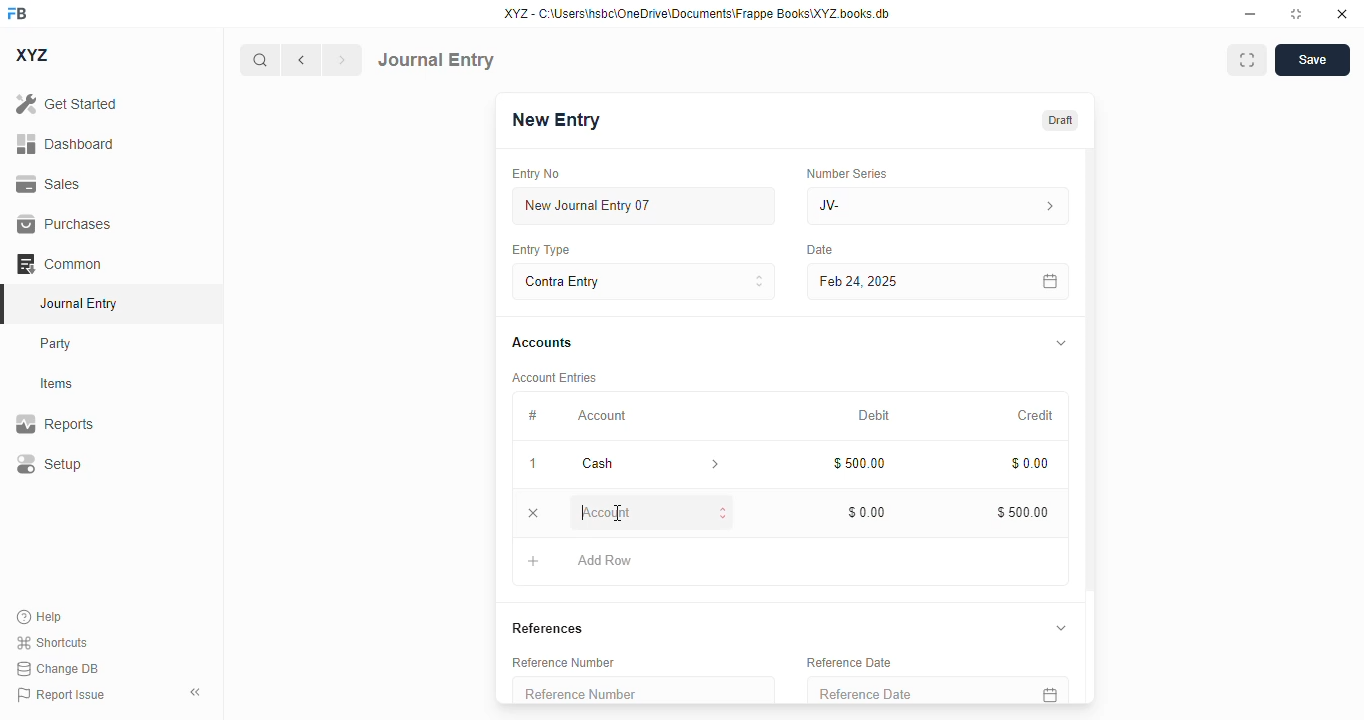 The height and width of the screenshot is (720, 1364). I want to click on save, so click(1312, 60).